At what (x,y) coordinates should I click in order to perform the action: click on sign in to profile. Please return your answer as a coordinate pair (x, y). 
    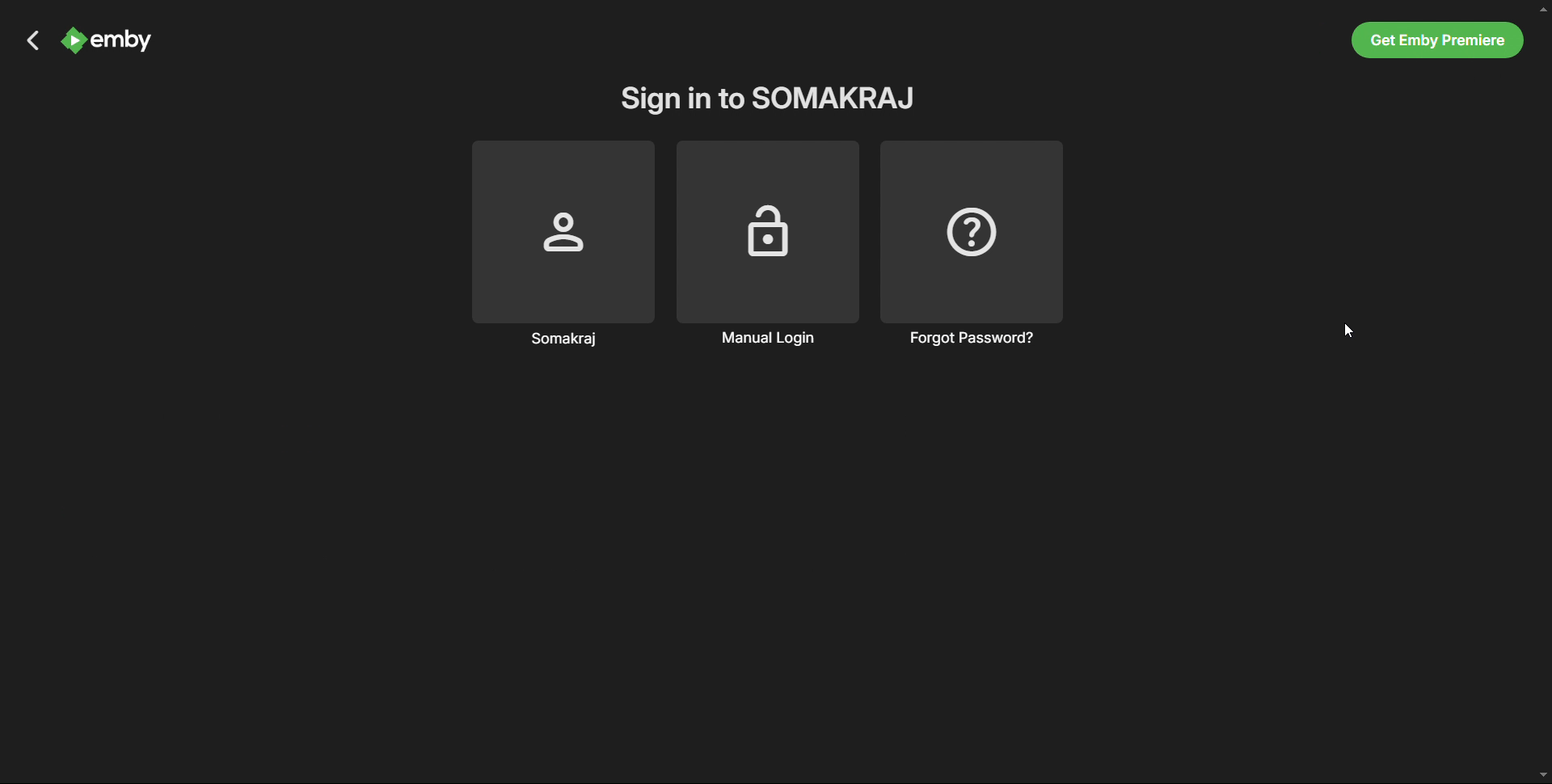
    Looking at the image, I should click on (765, 98).